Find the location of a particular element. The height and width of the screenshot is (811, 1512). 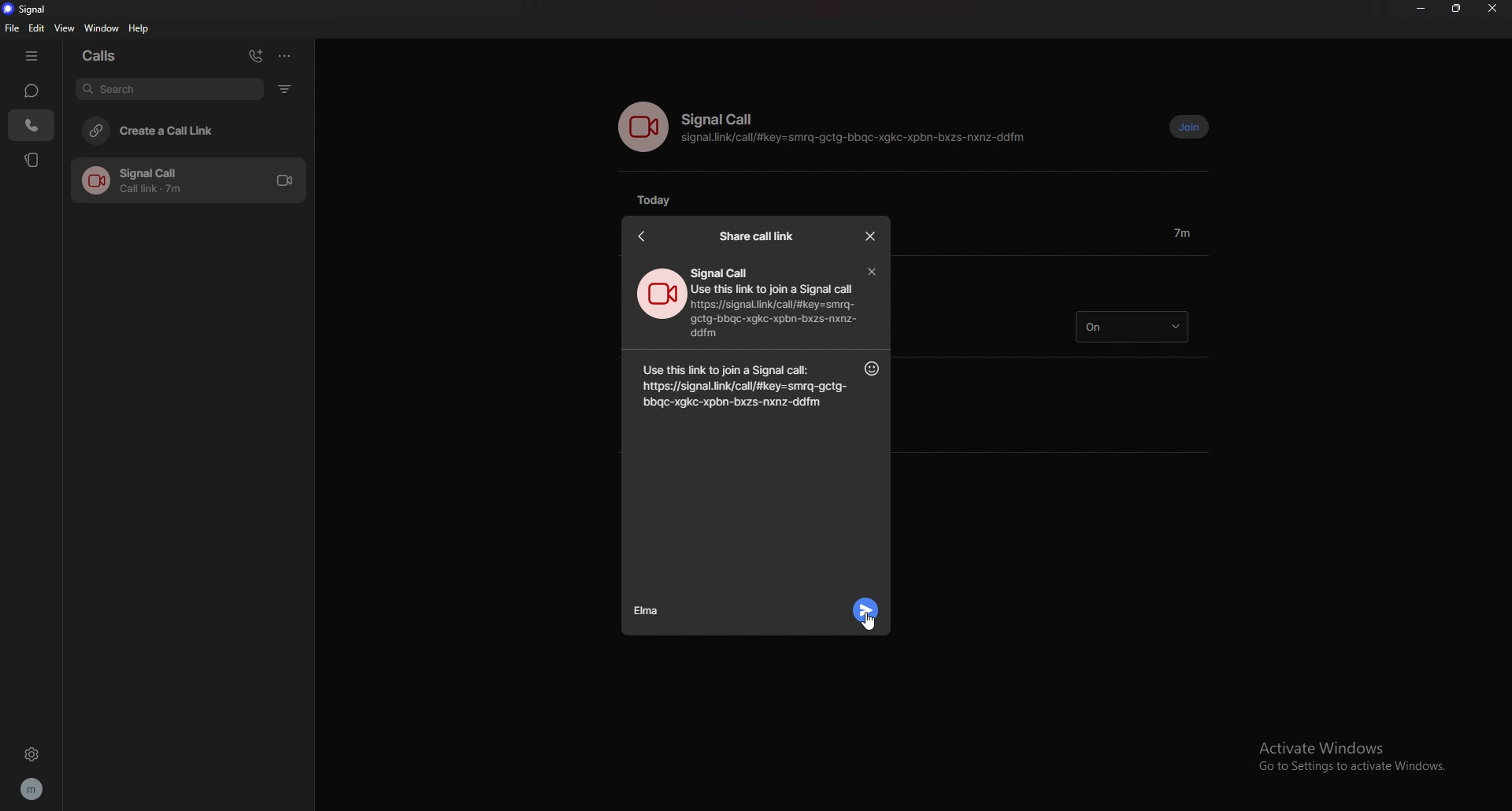

on is located at coordinates (1131, 327).